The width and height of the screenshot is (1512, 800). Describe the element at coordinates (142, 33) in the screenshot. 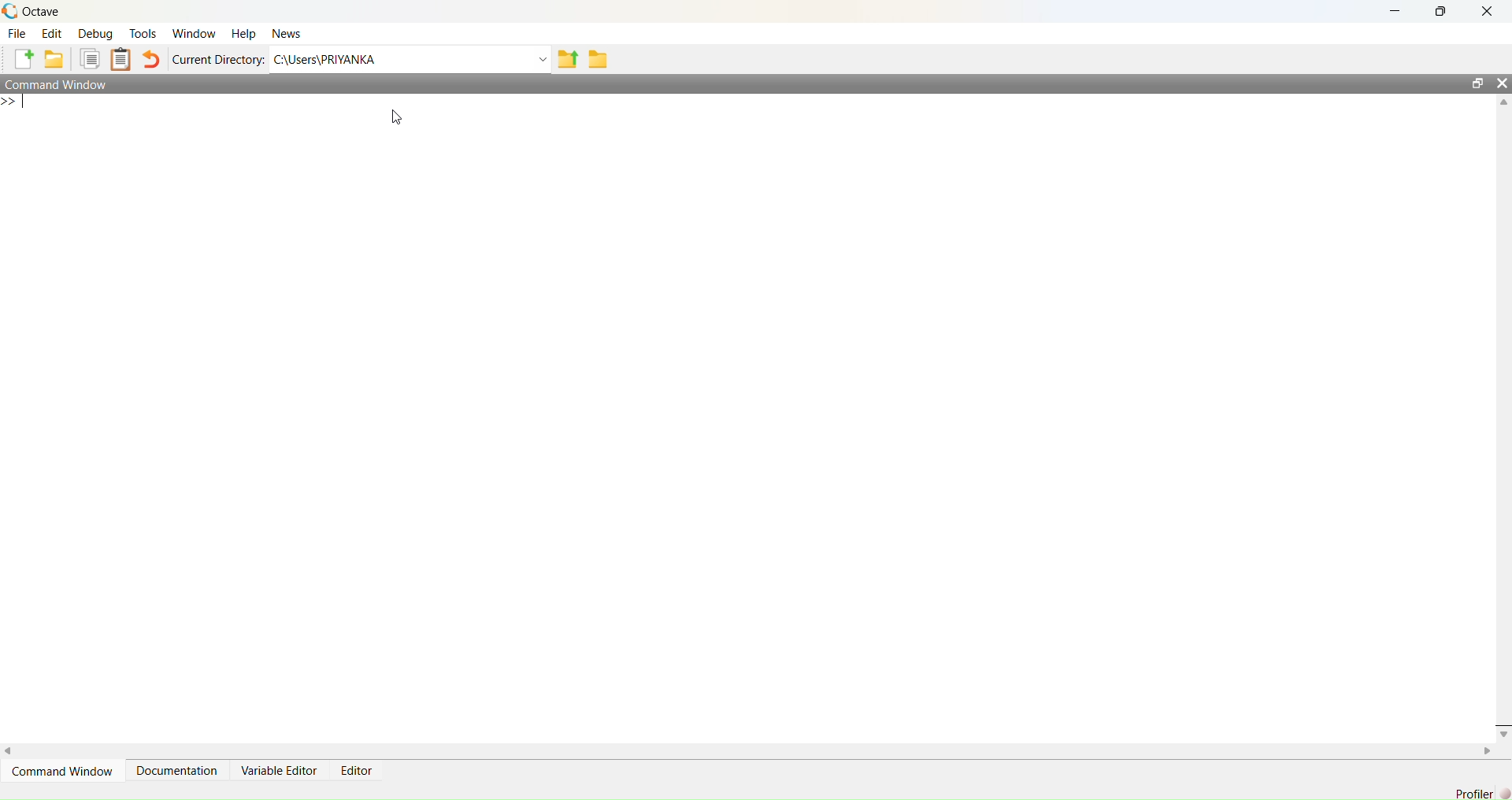

I see `Tools` at that location.